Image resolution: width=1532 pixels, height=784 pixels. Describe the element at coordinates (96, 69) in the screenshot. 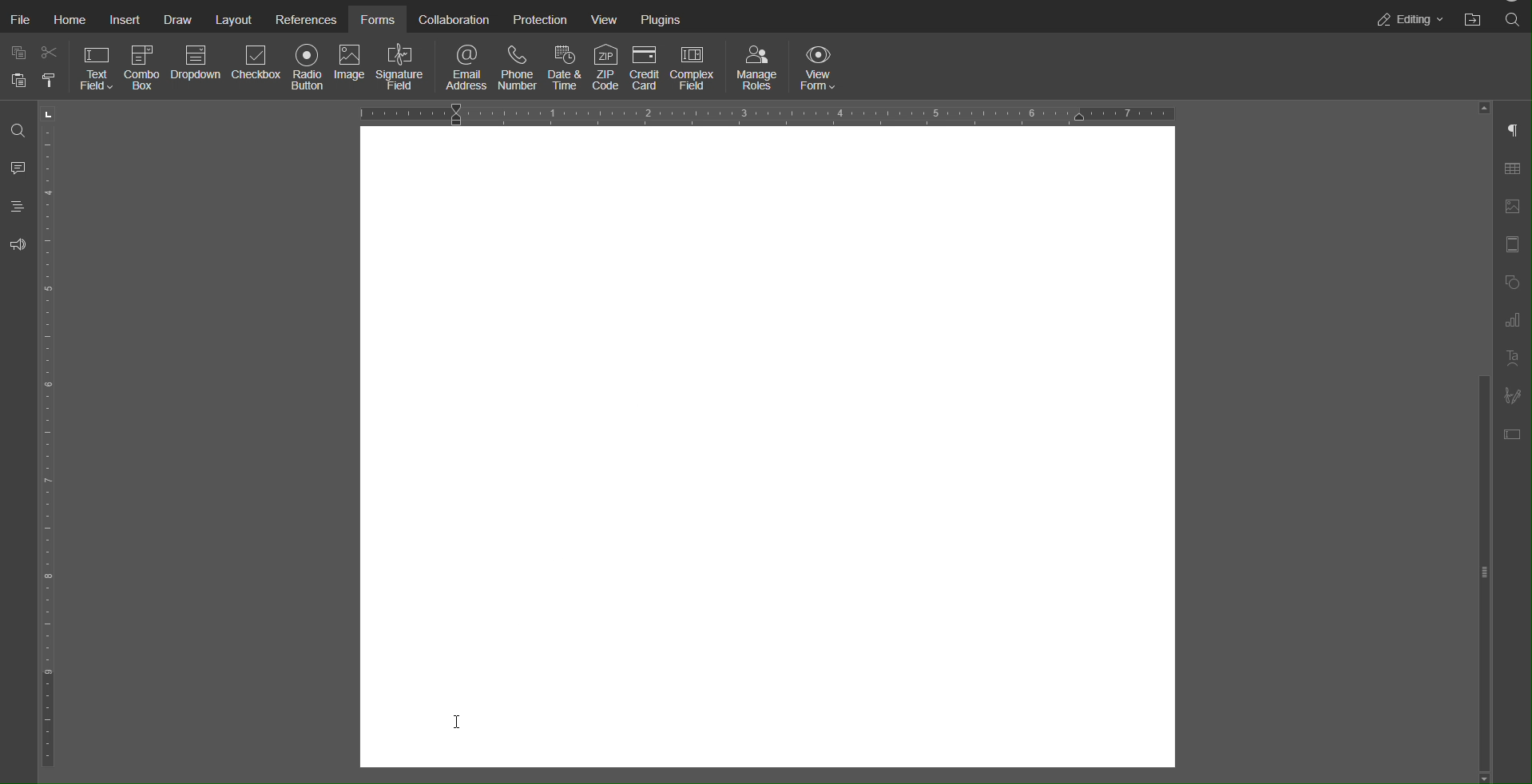

I see `Text Field` at that location.